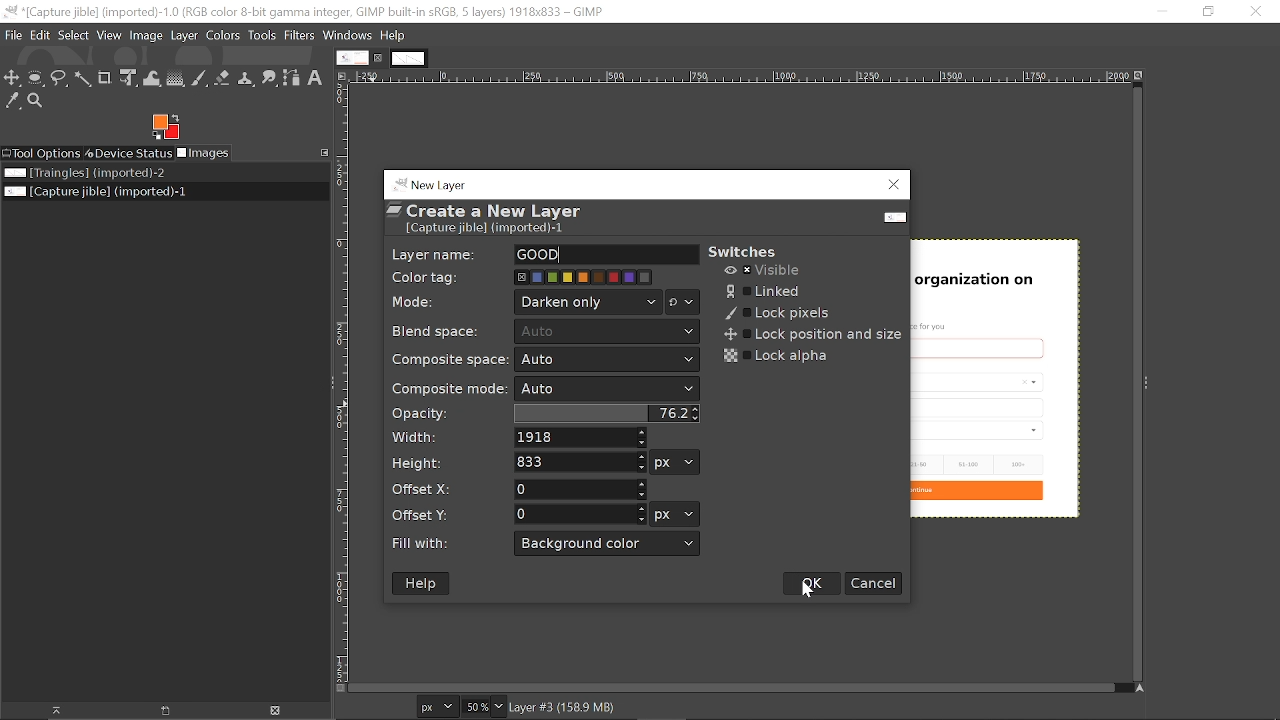 This screenshot has width=1280, height=720. Describe the element at coordinates (581, 488) in the screenshot. I see `Offset X` at that location.